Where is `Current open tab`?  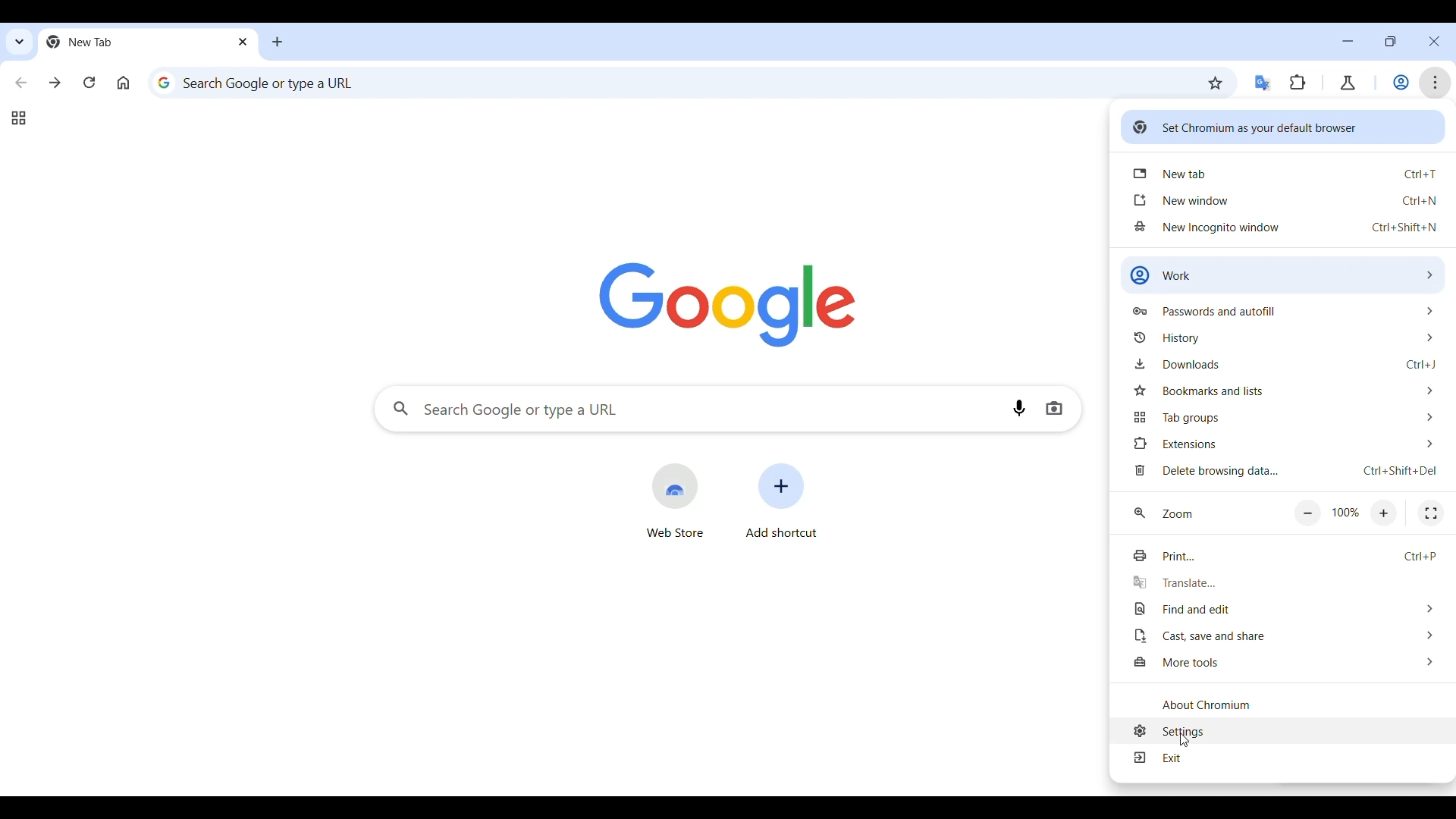 Current open tab is located at coordinates (136, 42).